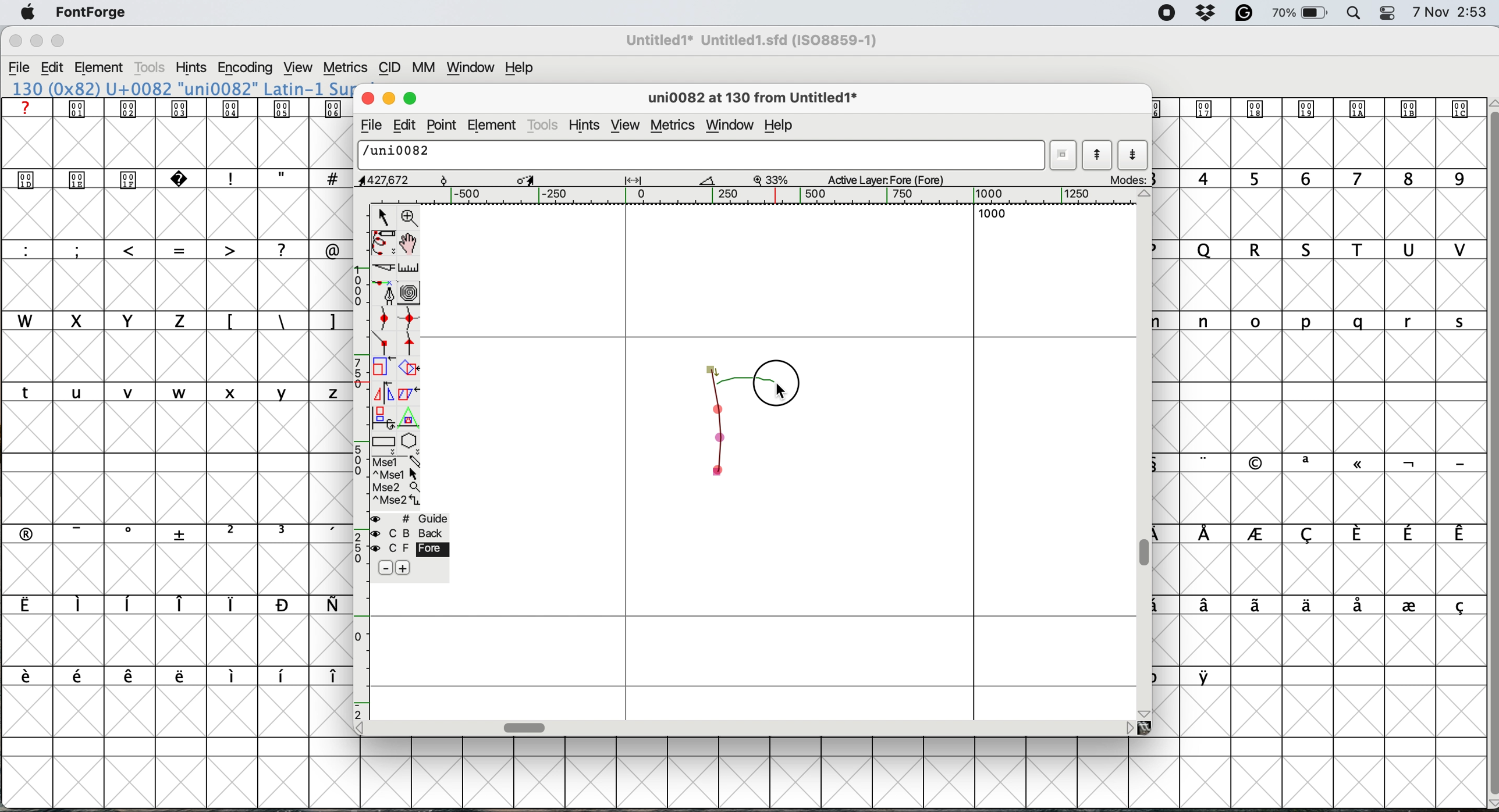 This screenshot has height=812, width=1499. I want to click on lowercase letters, so click(171, 393).